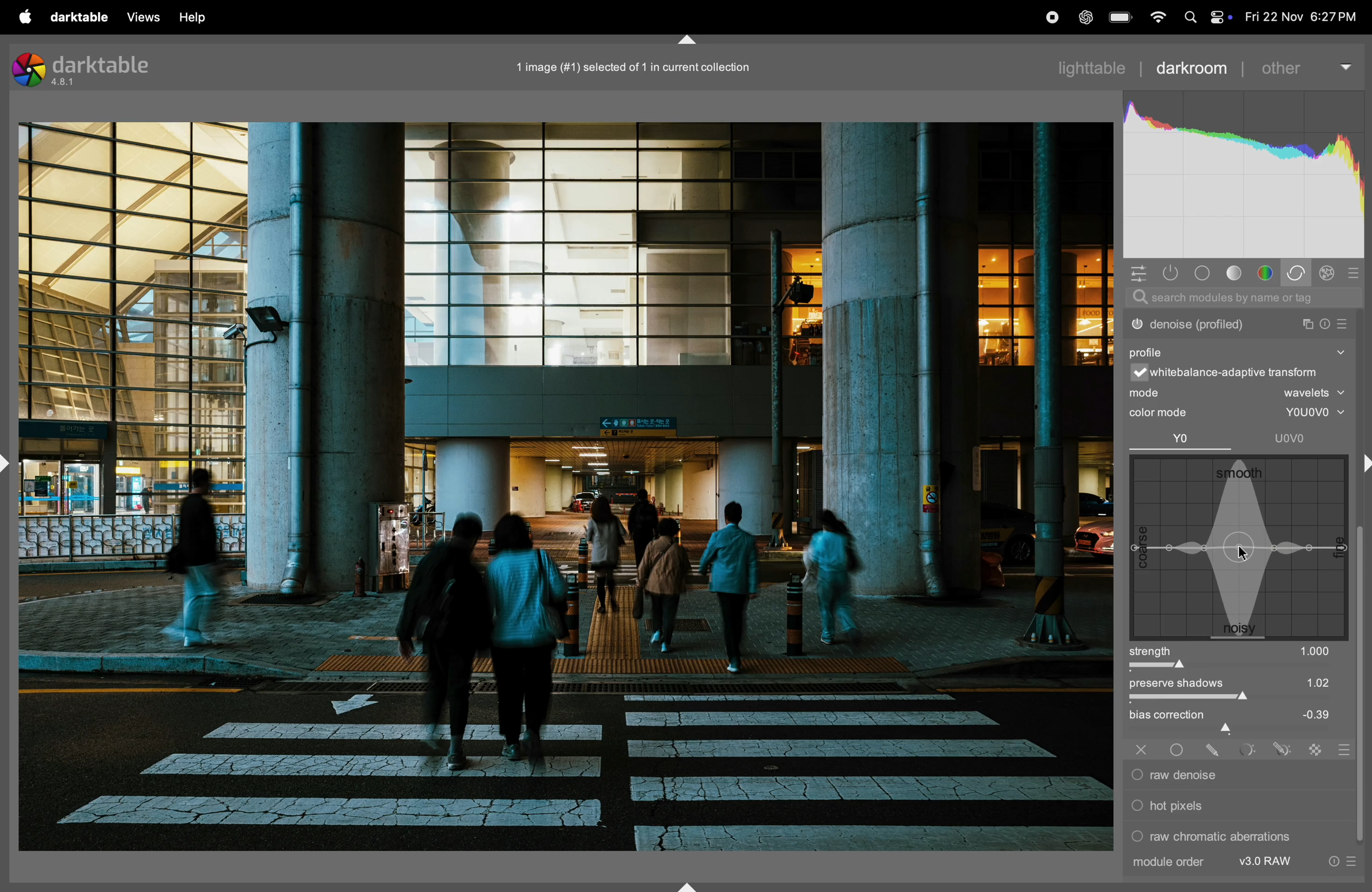 This screenshot has width=1372, height=892. Describe the element at coordinates (1299, 273) in the screenshot. I see `correct` at that location.